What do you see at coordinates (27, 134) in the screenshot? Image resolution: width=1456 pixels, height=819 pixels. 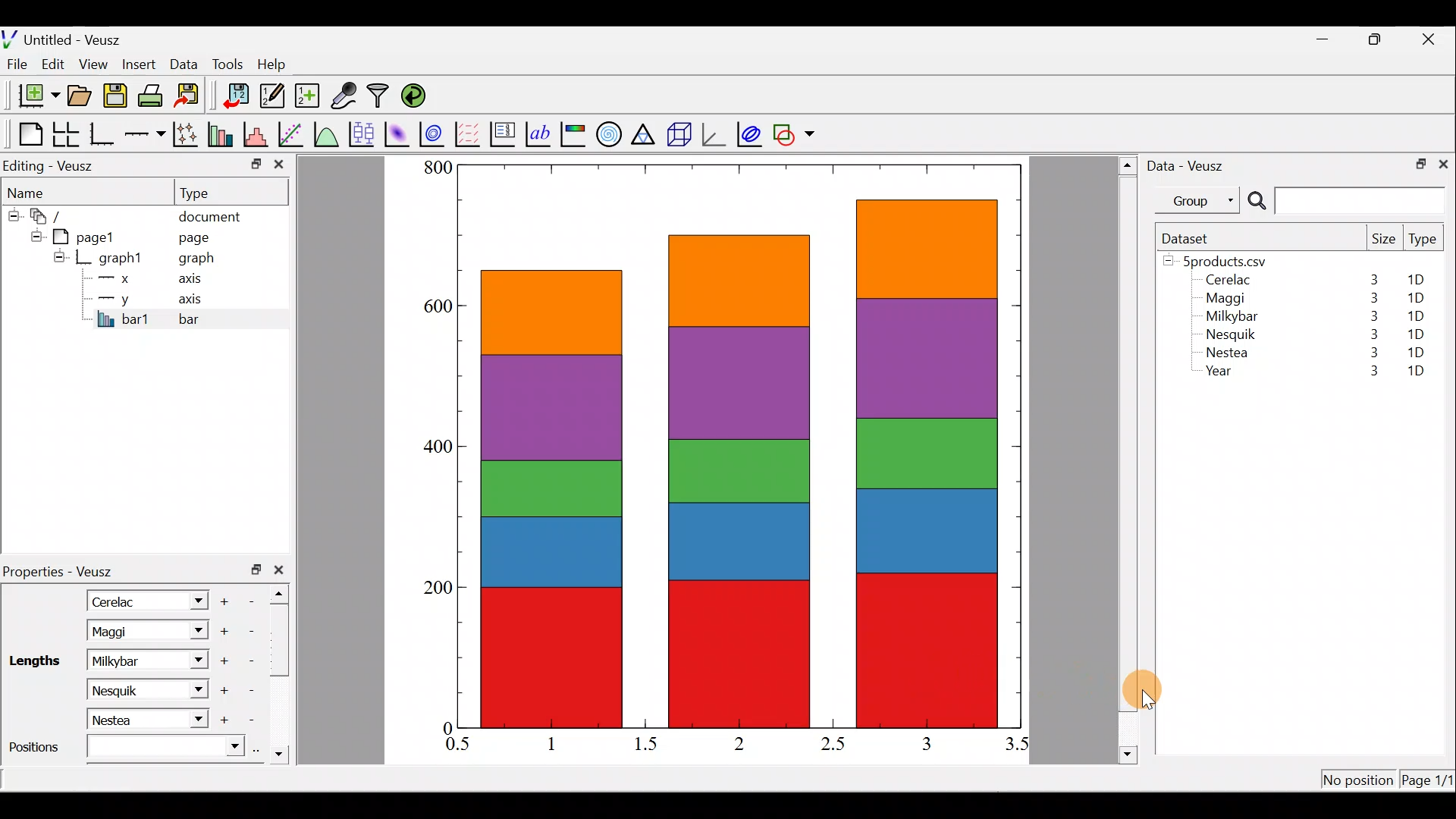 I see `Blank page` at bounding box center [27, 134].